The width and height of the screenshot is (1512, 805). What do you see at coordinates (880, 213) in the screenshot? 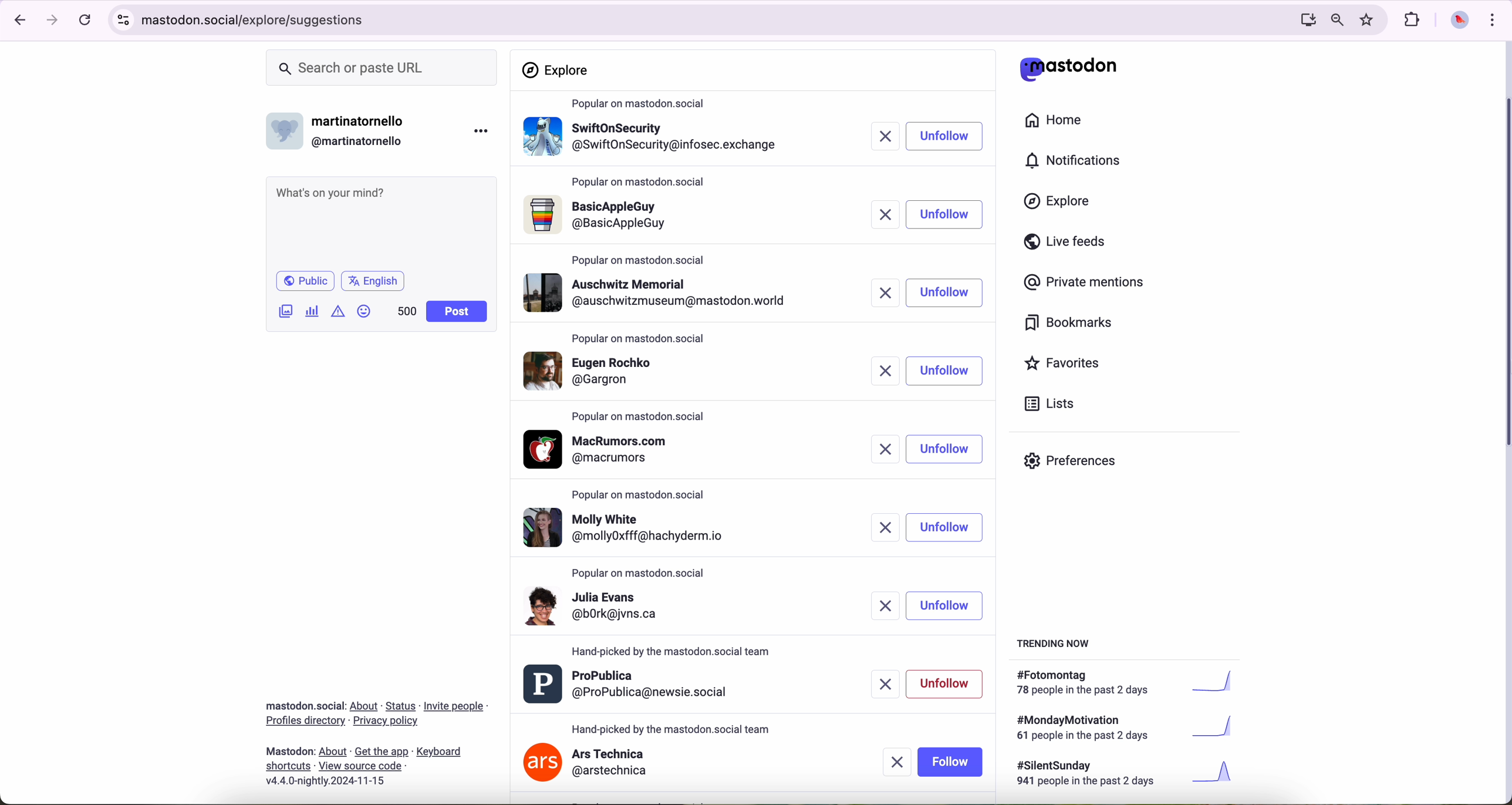
I see `remove` at bounding box center [880, 213].